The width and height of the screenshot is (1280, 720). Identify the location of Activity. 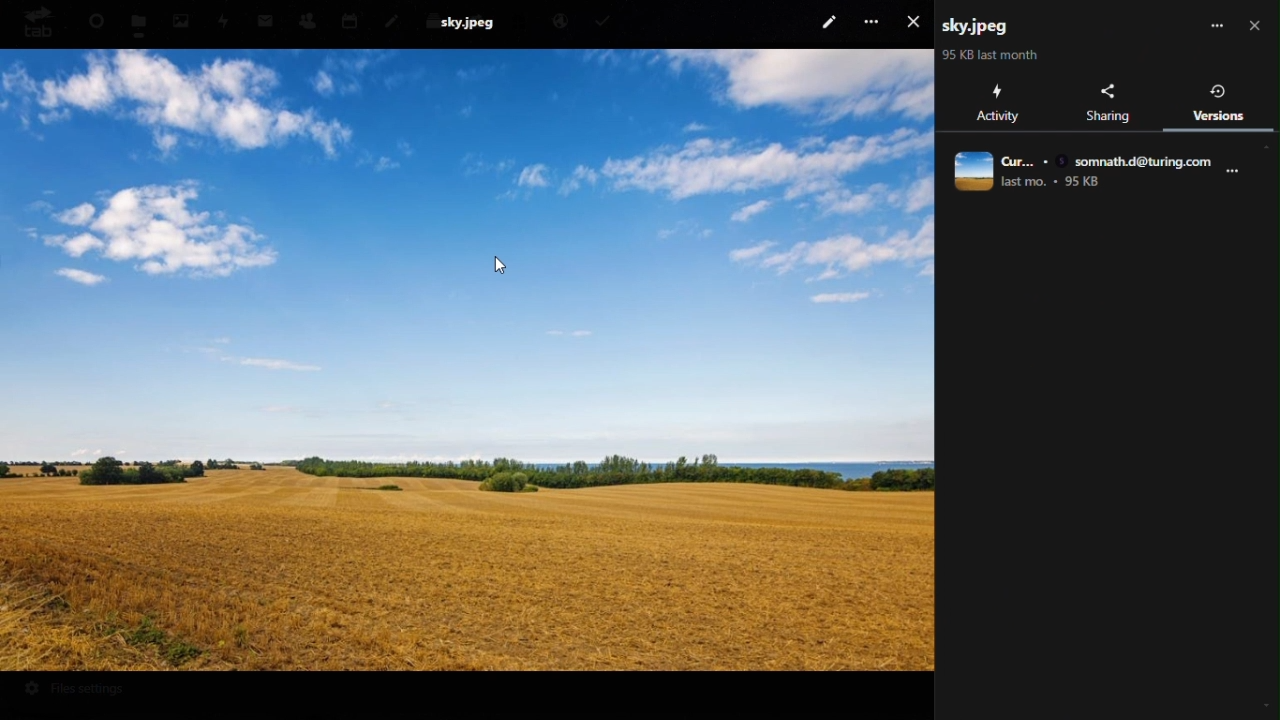
(995, 103).